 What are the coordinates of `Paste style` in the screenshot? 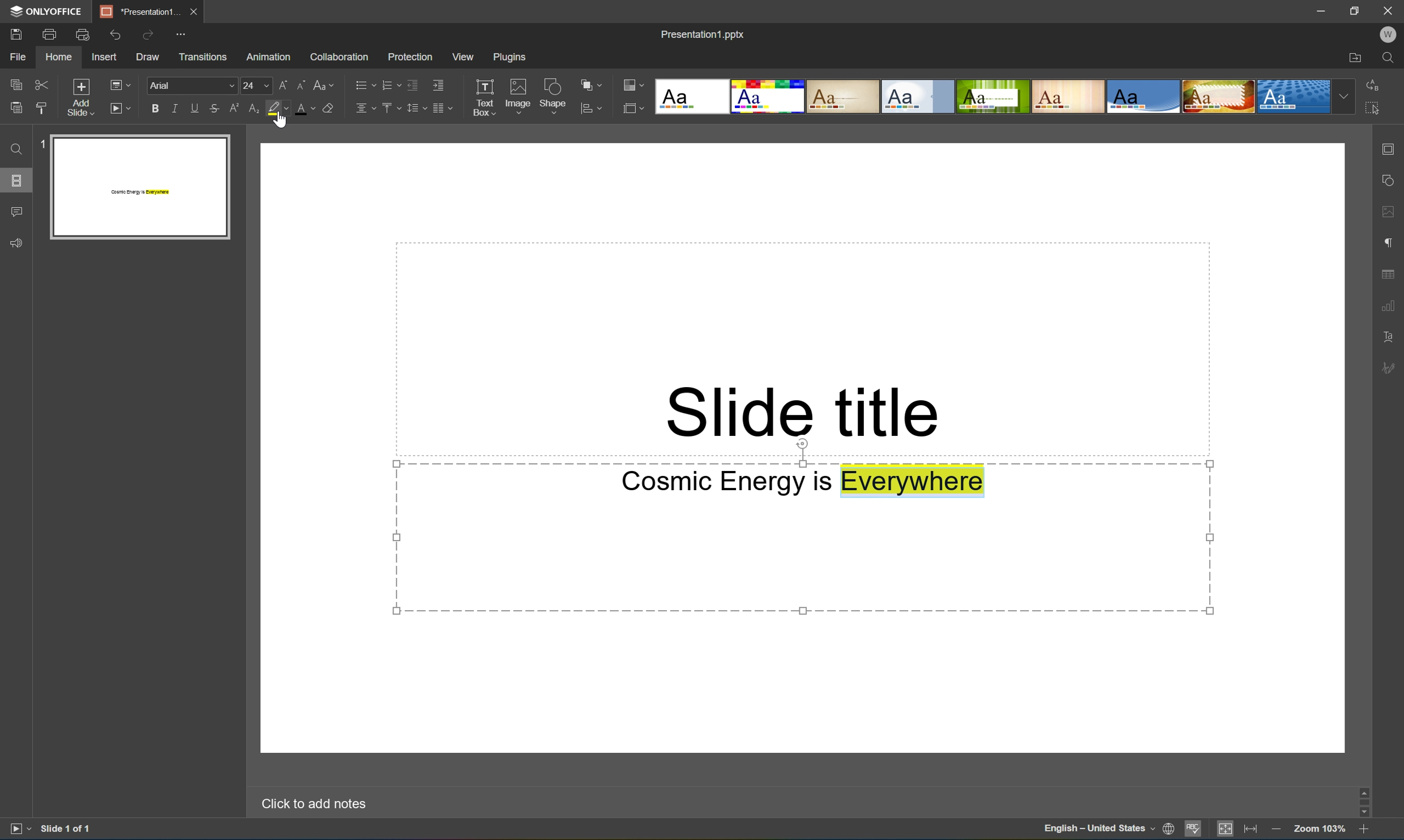 It's located at (45, 107).